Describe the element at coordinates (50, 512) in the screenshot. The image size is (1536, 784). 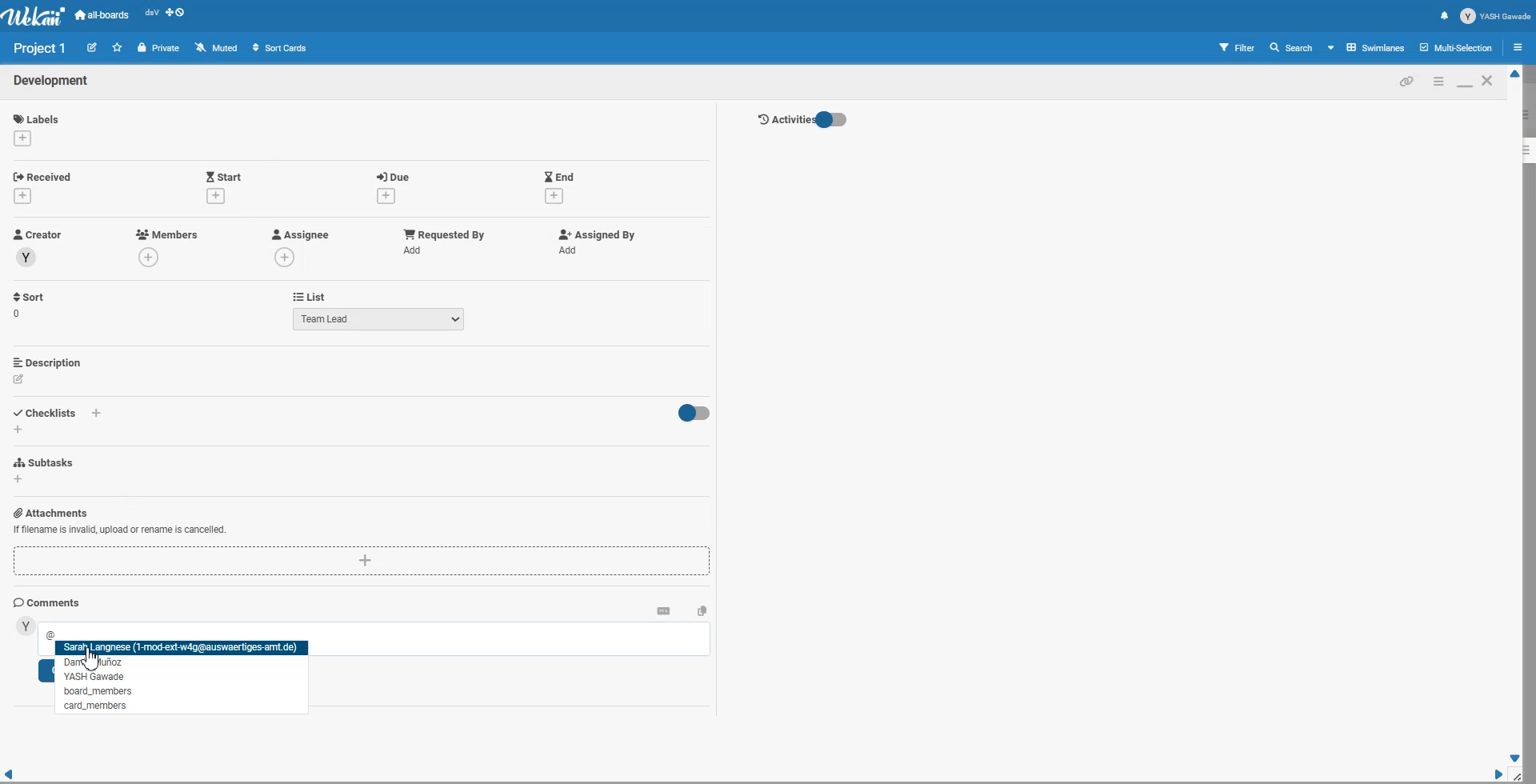
I see `Add Attachments` at that location.